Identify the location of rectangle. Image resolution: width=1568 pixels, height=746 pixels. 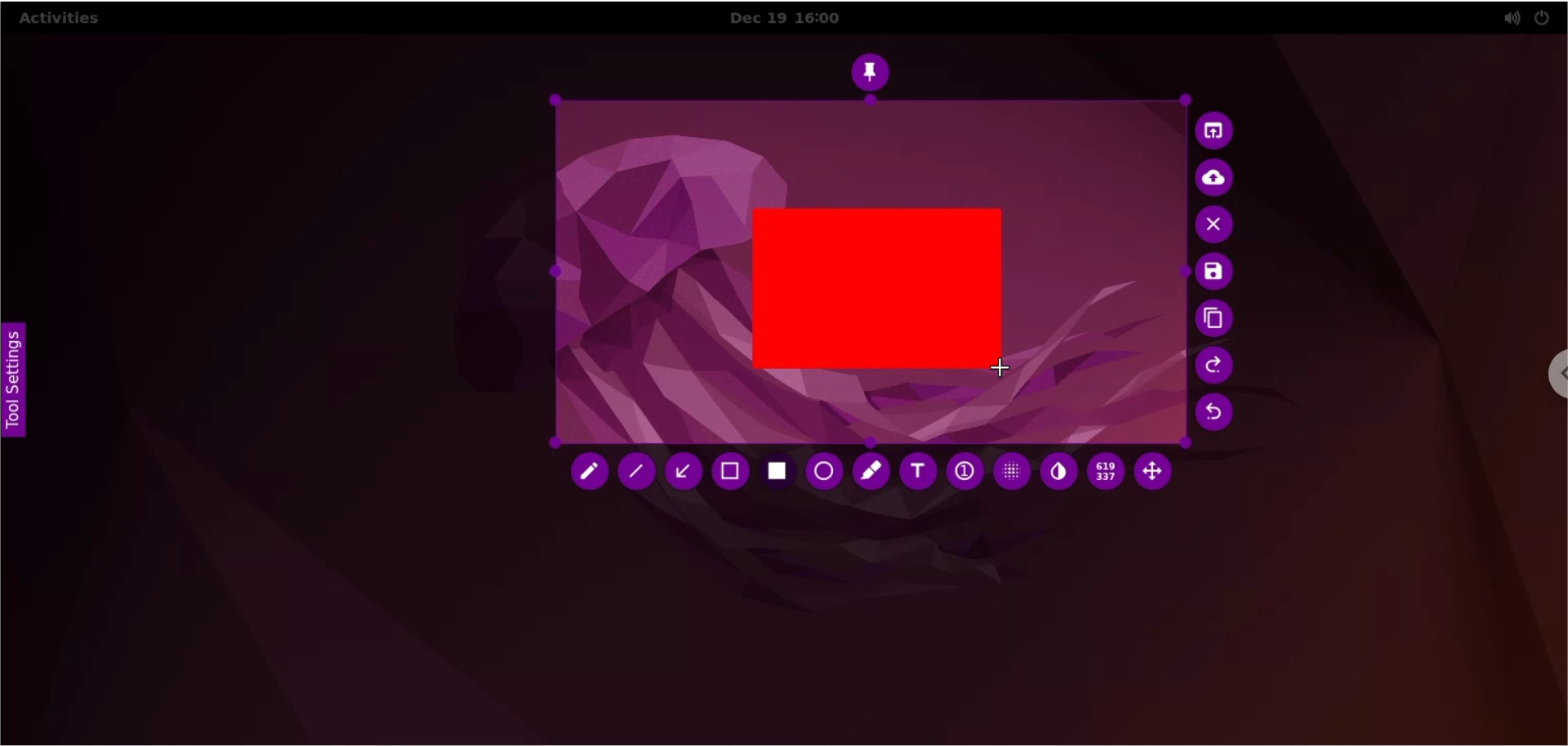
(876, 286).